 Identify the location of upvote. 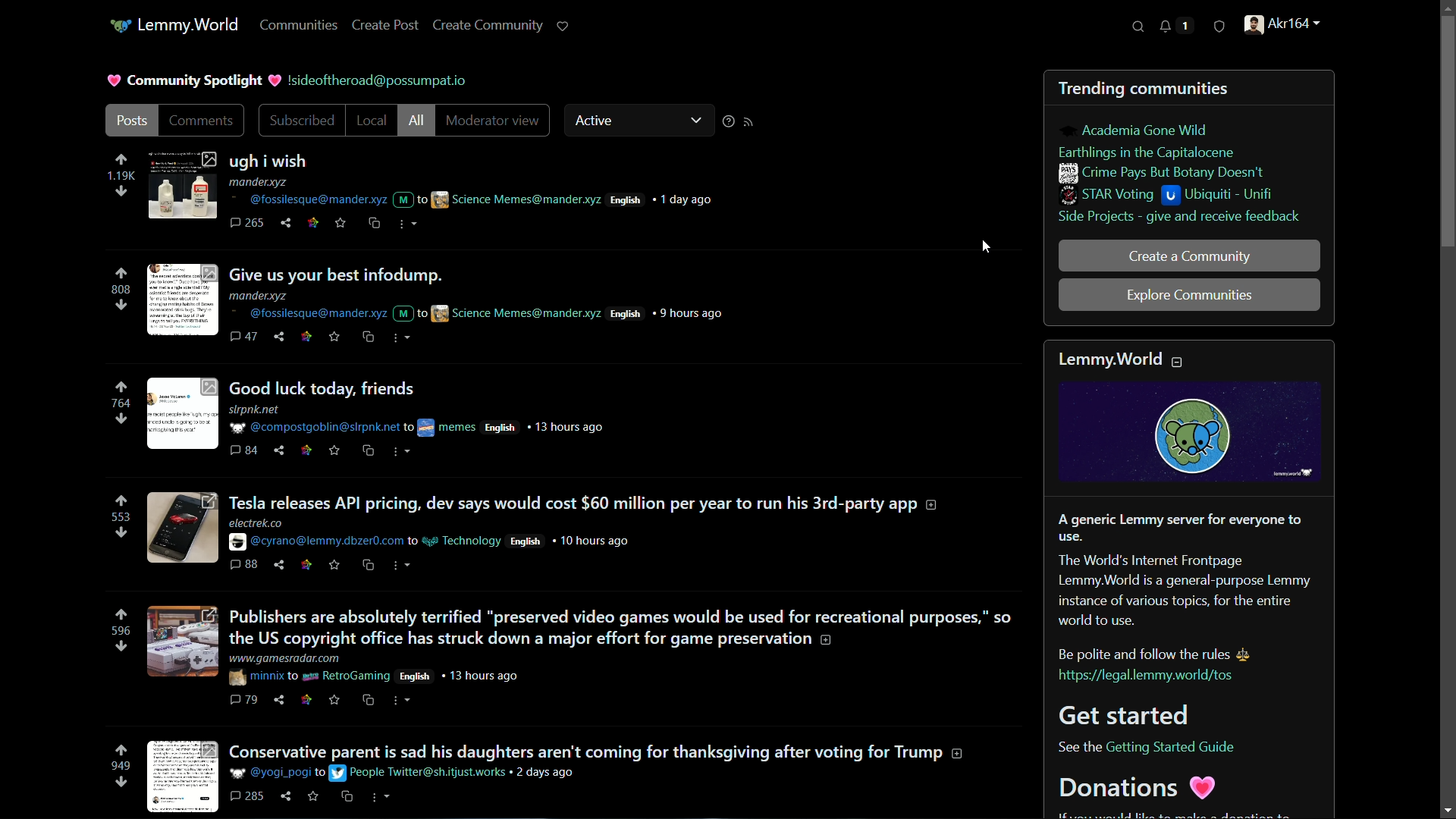
(122, 386).